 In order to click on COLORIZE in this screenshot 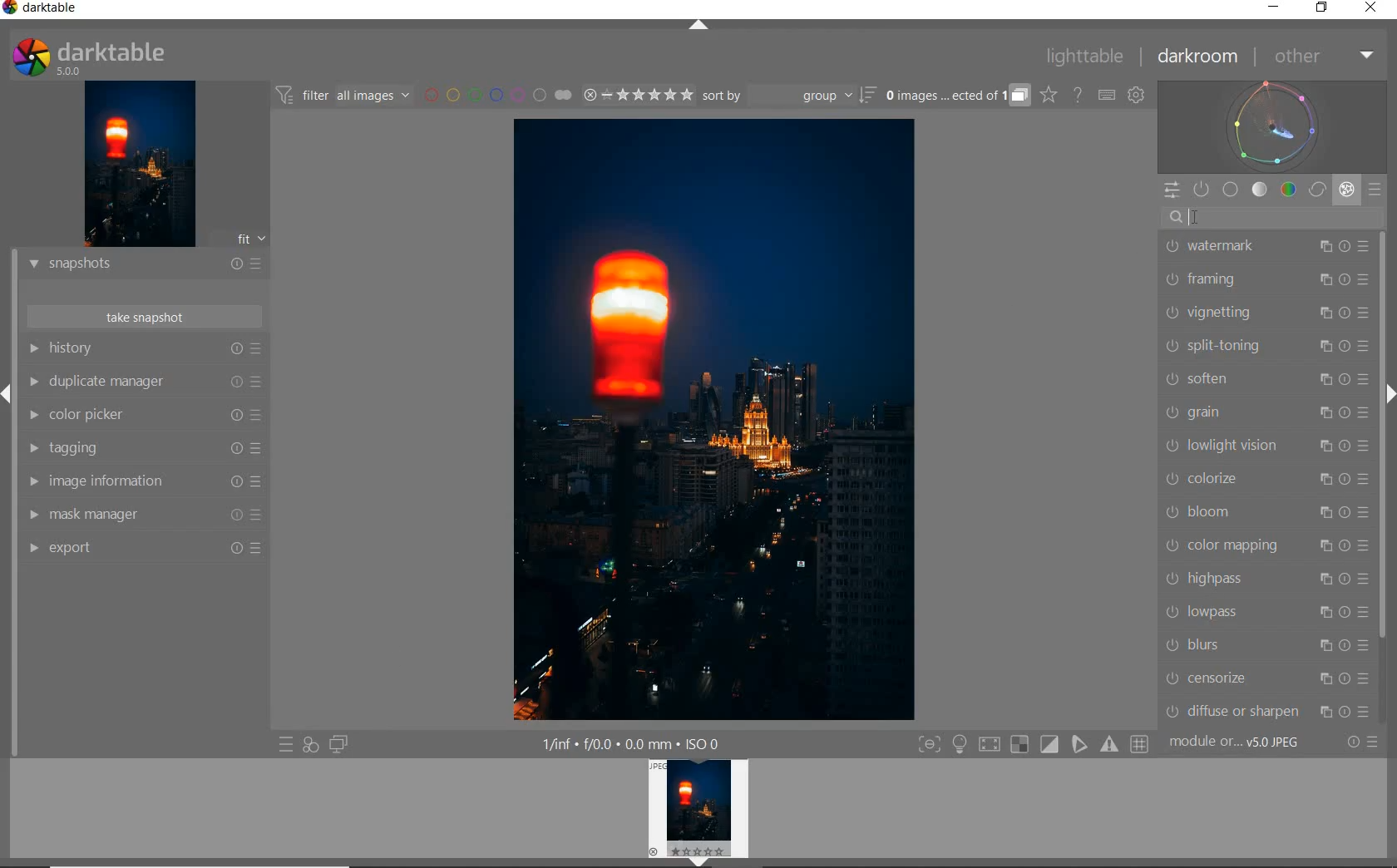, I will do `click(1218, 477)`.